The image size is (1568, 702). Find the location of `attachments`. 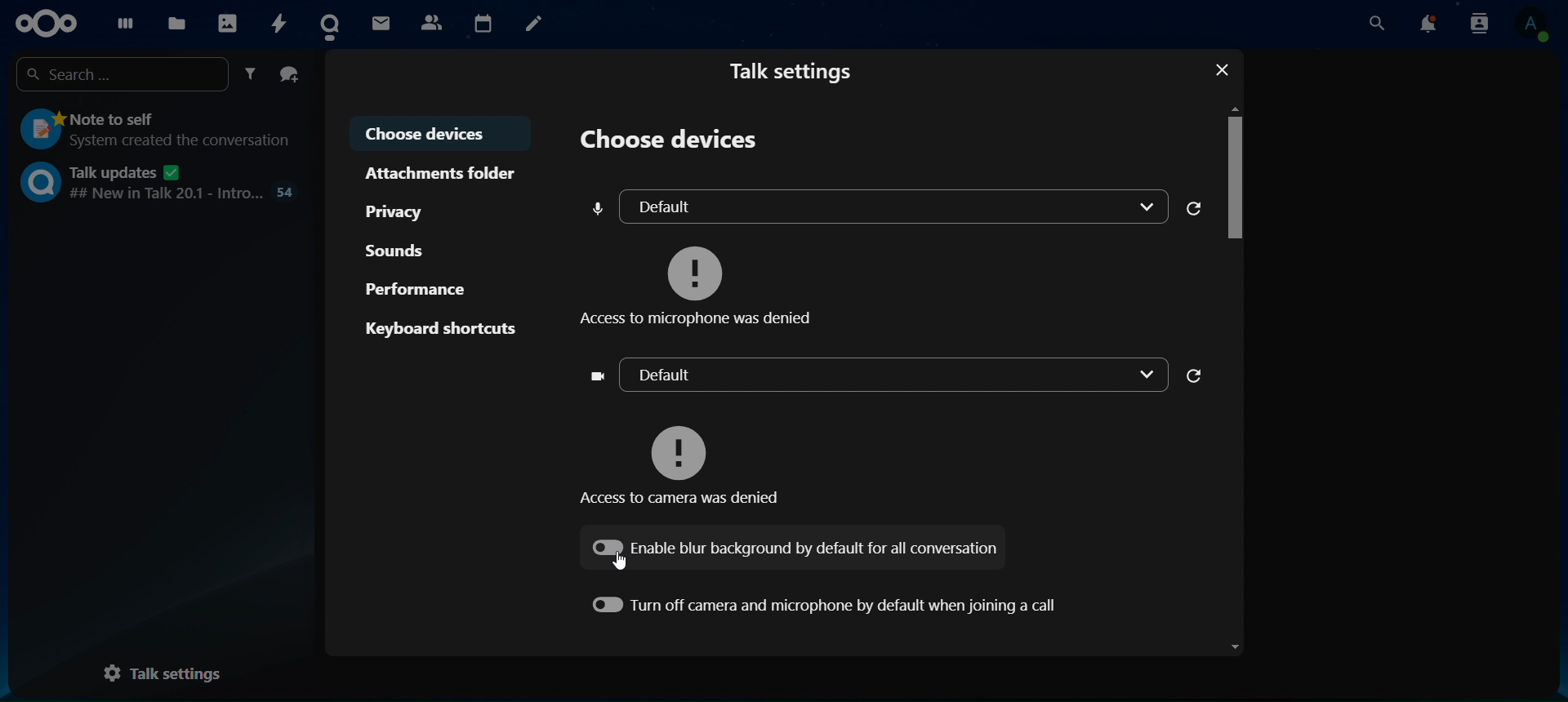

attachments is located at coordinates (443, 172).